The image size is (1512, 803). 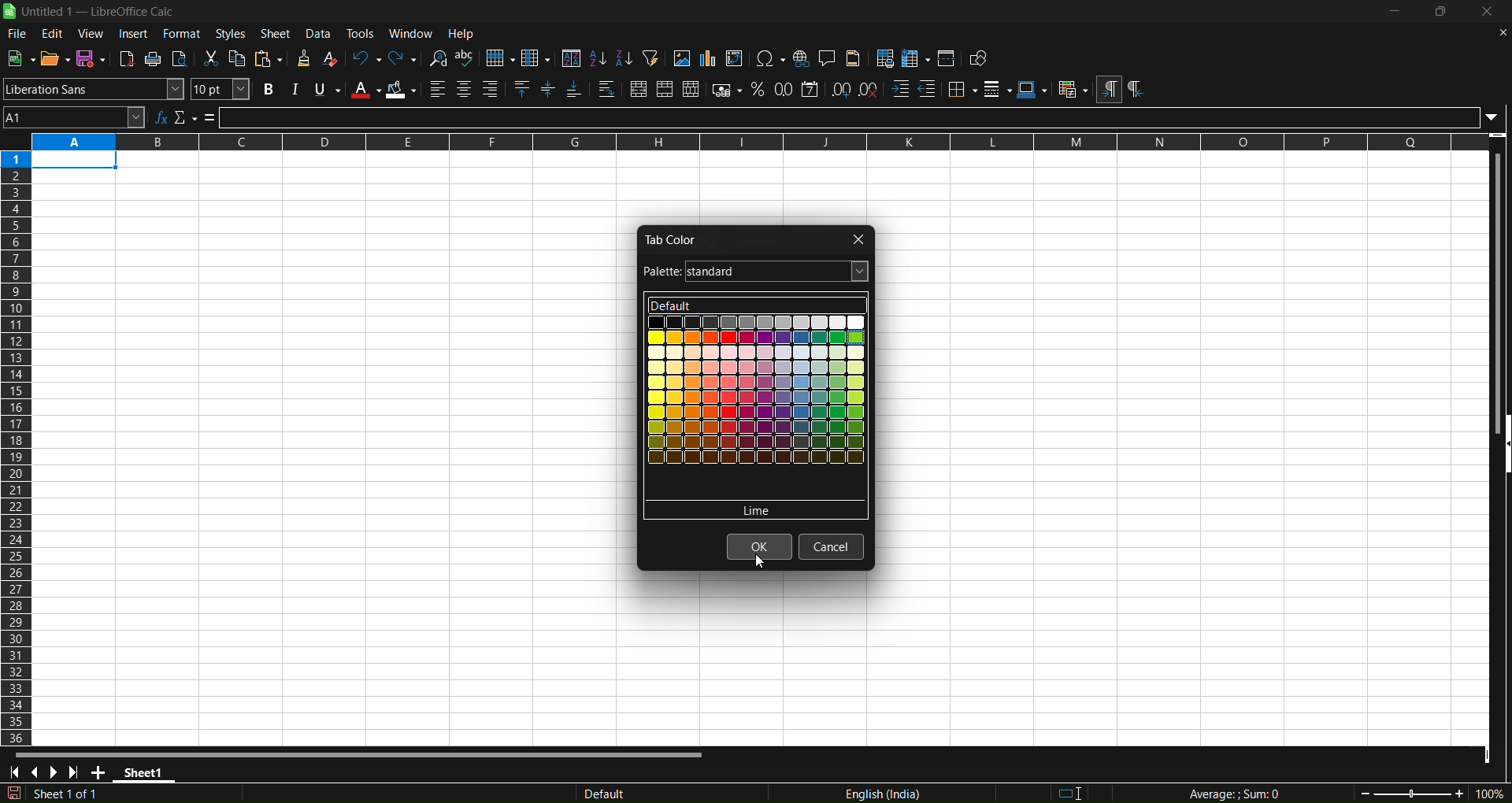 What do you see at coordinates (147, 775) in the screenshot?
I see `sheet 1` at bounding box center [147, 775].